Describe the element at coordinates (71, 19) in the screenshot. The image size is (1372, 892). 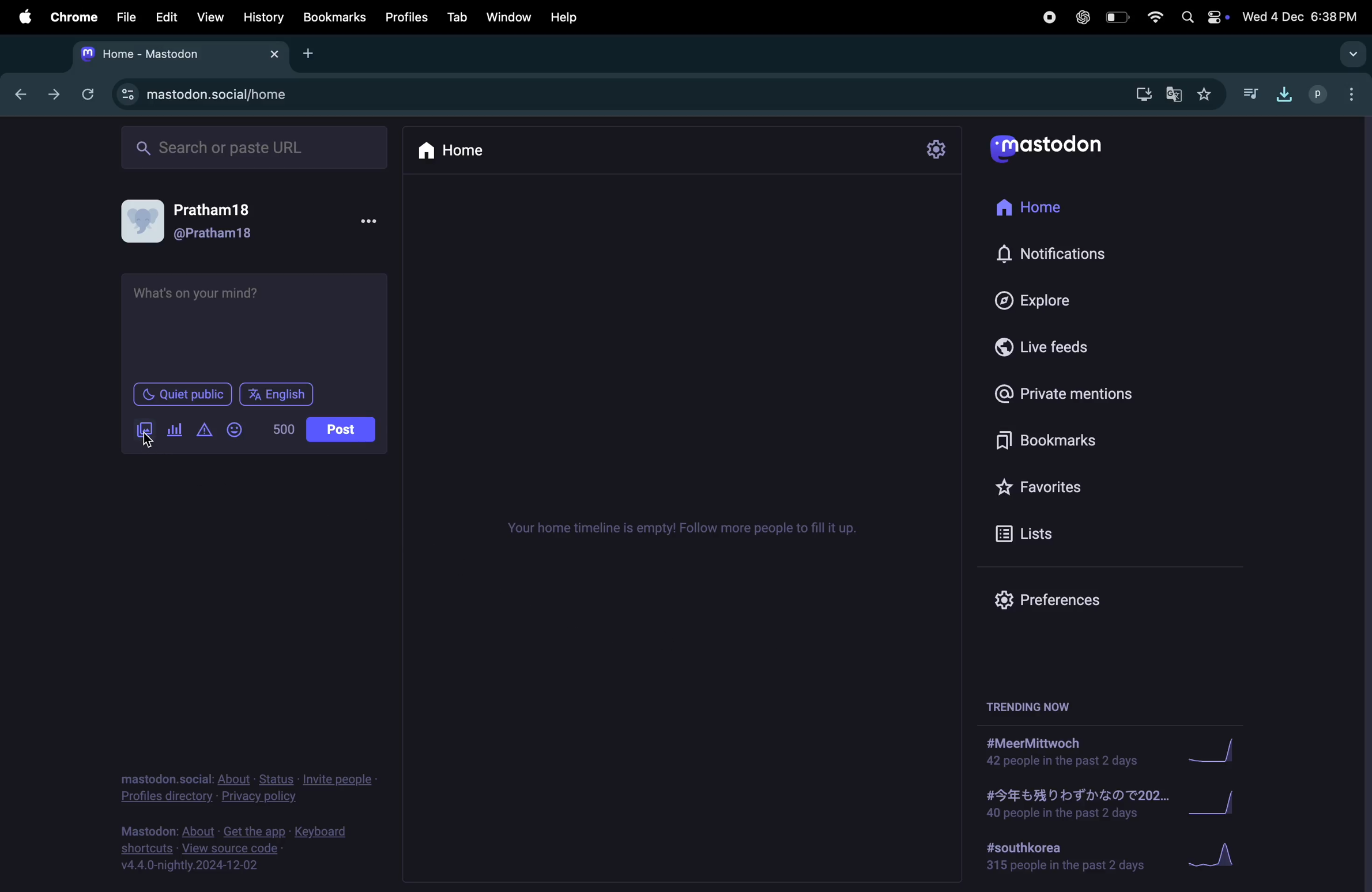
I see `chrome` at that location.